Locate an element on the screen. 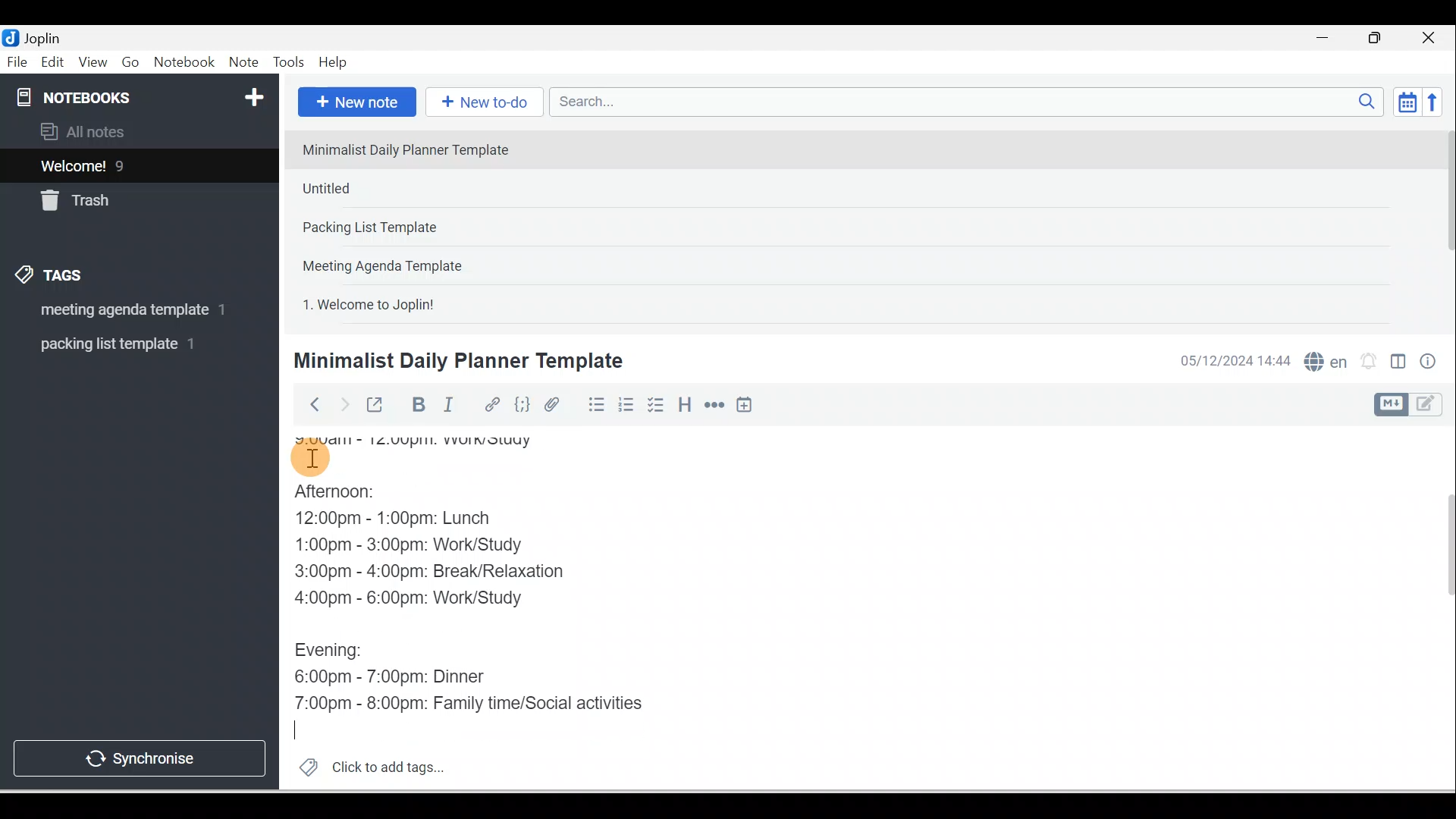  Cursor is located at coordinates (303, 729).